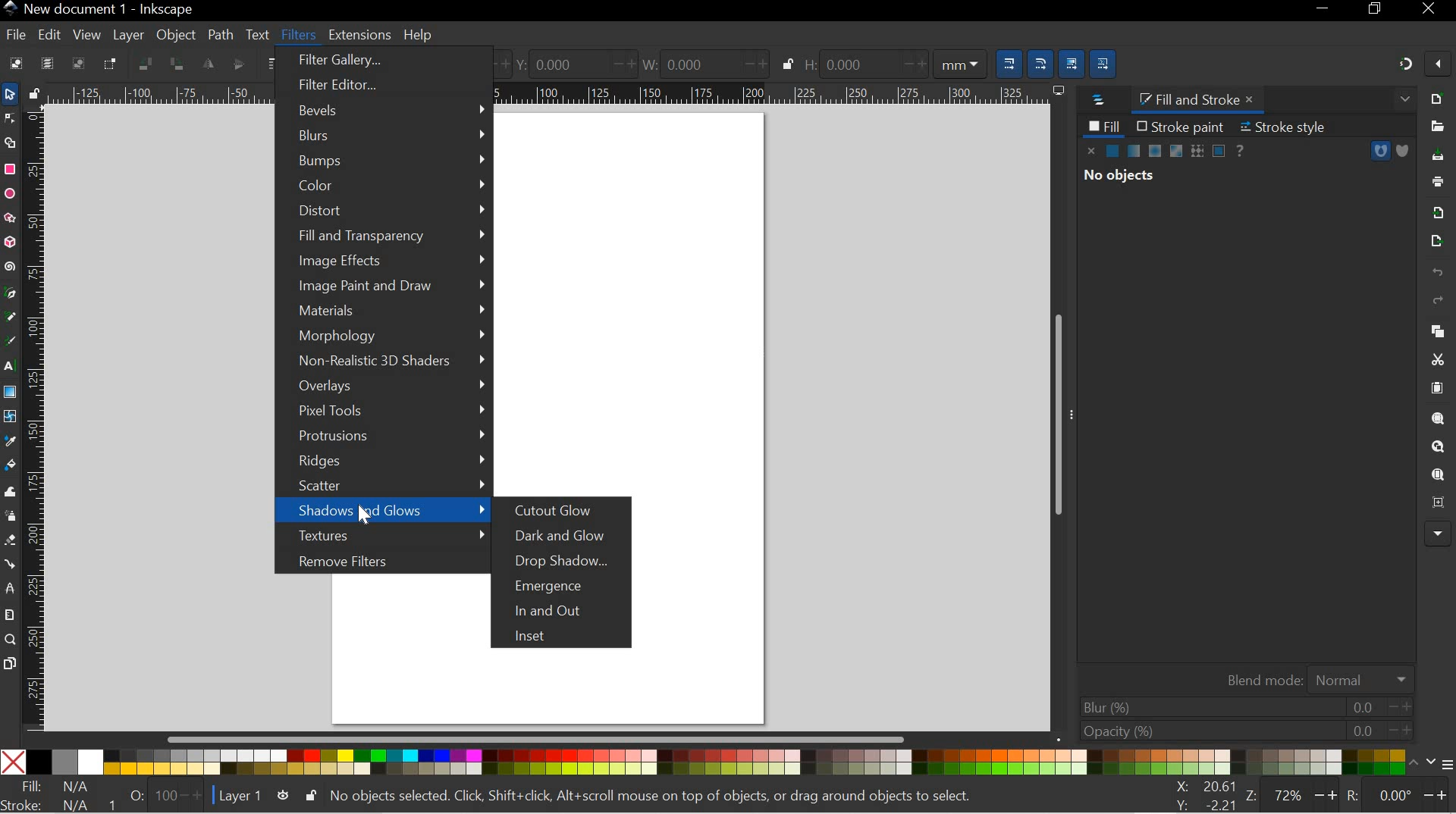  Describe the element at coordinates (1073, 61) in the screenshot. I see `MOVE GRADIENTS` at that location.